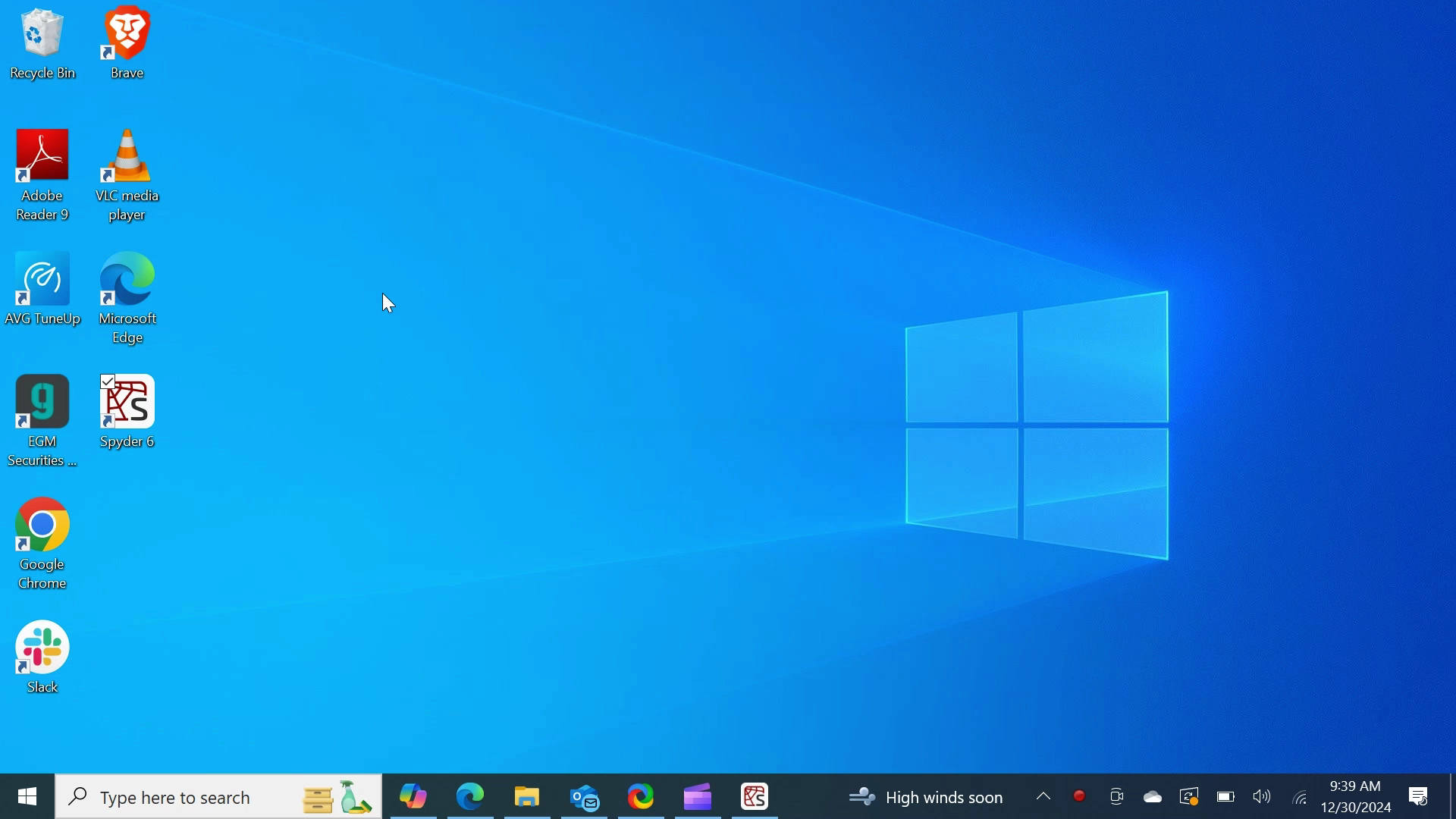  What do you see at coordinates (42, 548) in the screenshot?
I see `Google Chrome Desktop Icon` at bounding box center [42, 548].